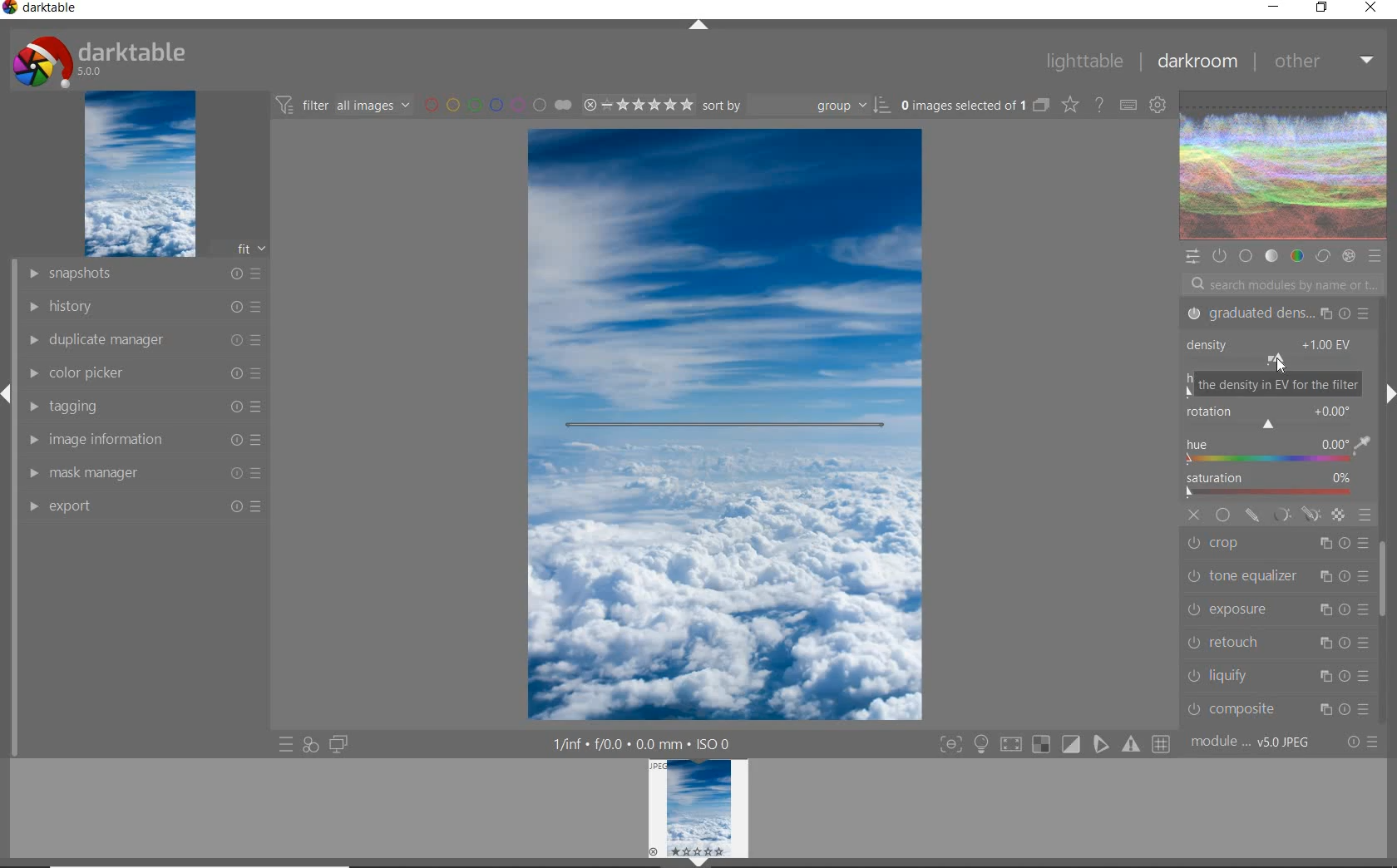 Image resolution: width=1397 pixels, height=868 pixels. I want to click on SHOW ONLY ACTIVE MODULES, so click(1220, 255).